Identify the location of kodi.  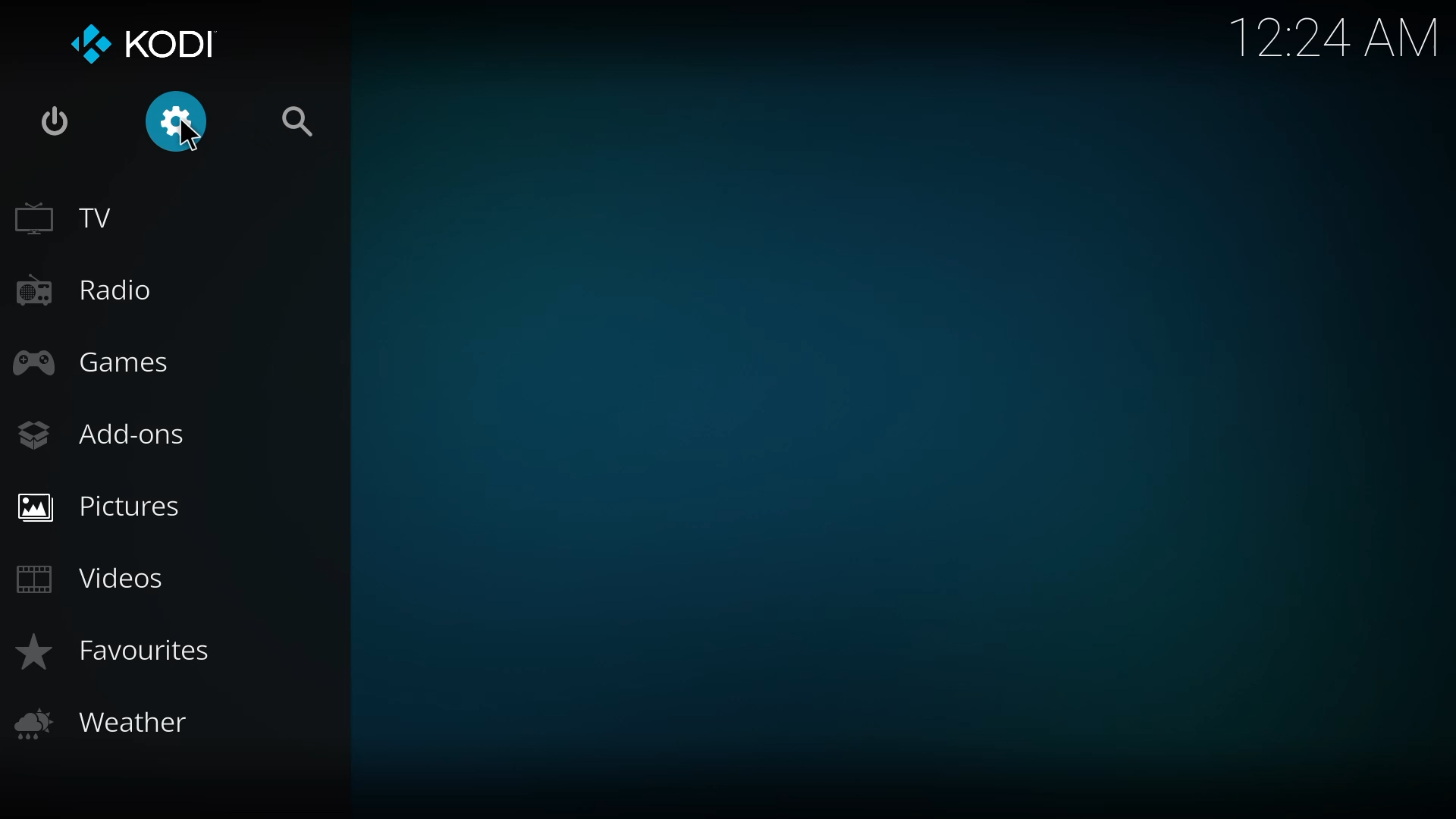
(143, 42).